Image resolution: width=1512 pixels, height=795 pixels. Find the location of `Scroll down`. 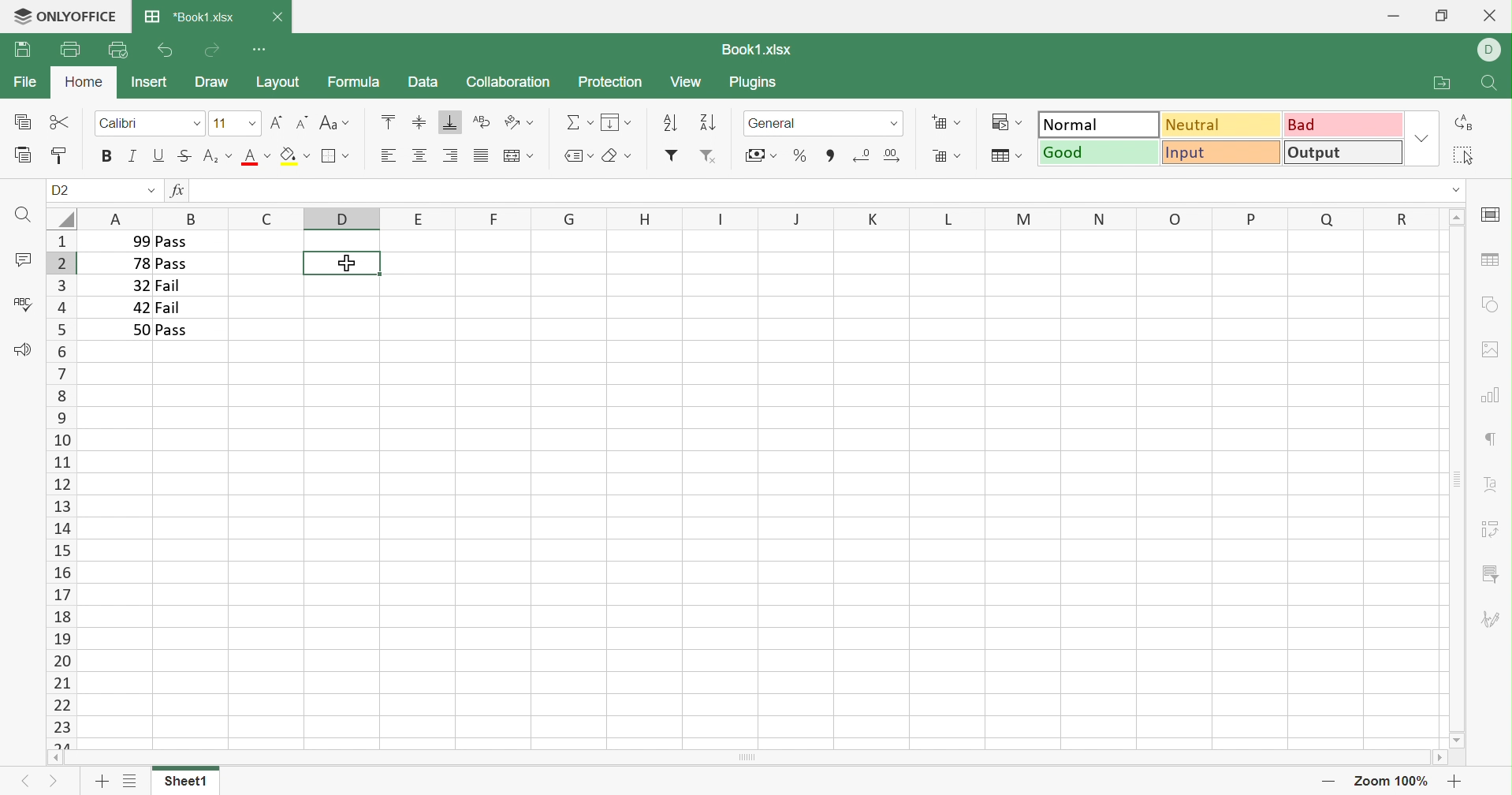

Scroll down is located at coordinates (1458, 740).